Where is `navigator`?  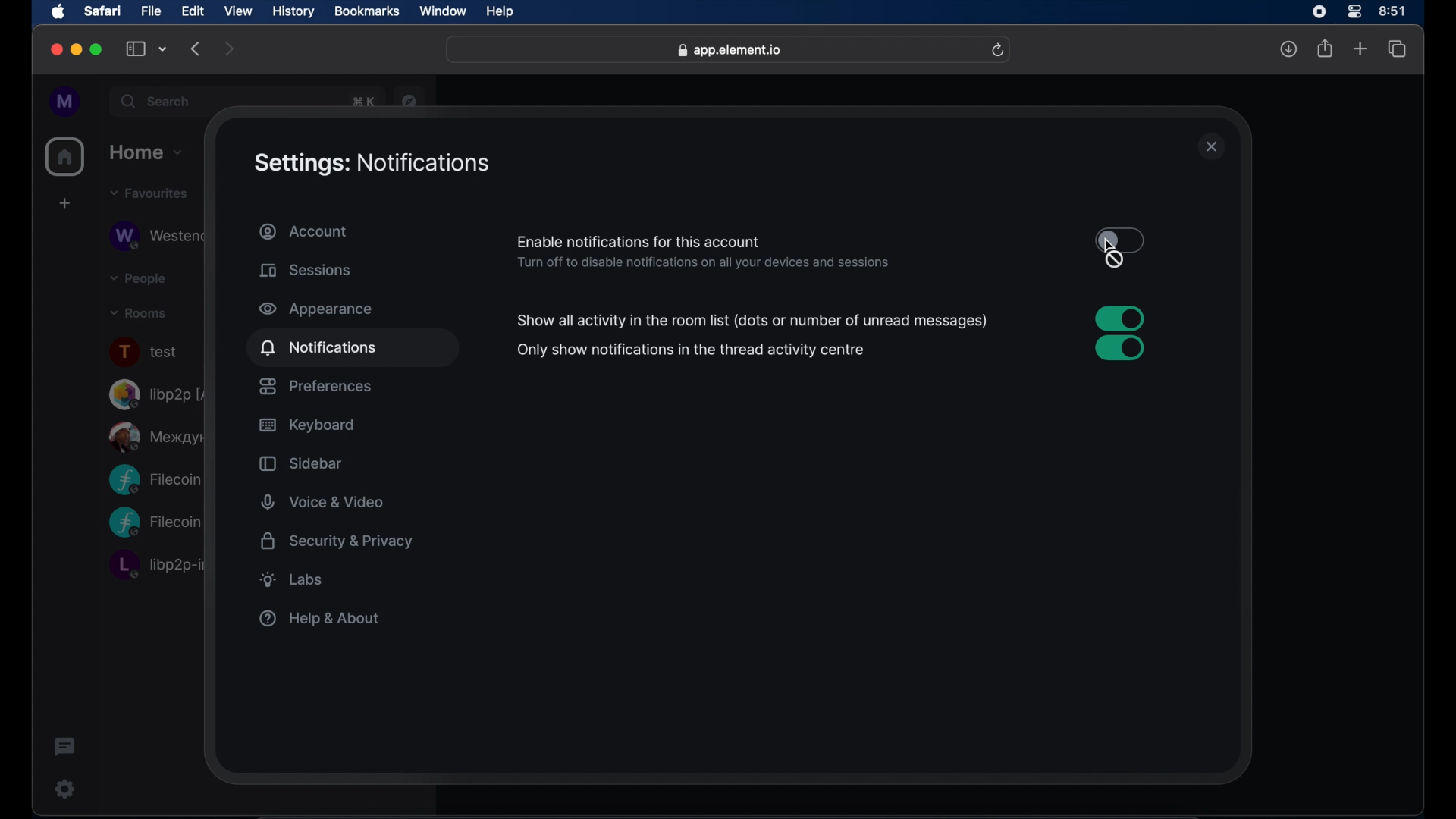 navigator is located at coordinates (410, 102).